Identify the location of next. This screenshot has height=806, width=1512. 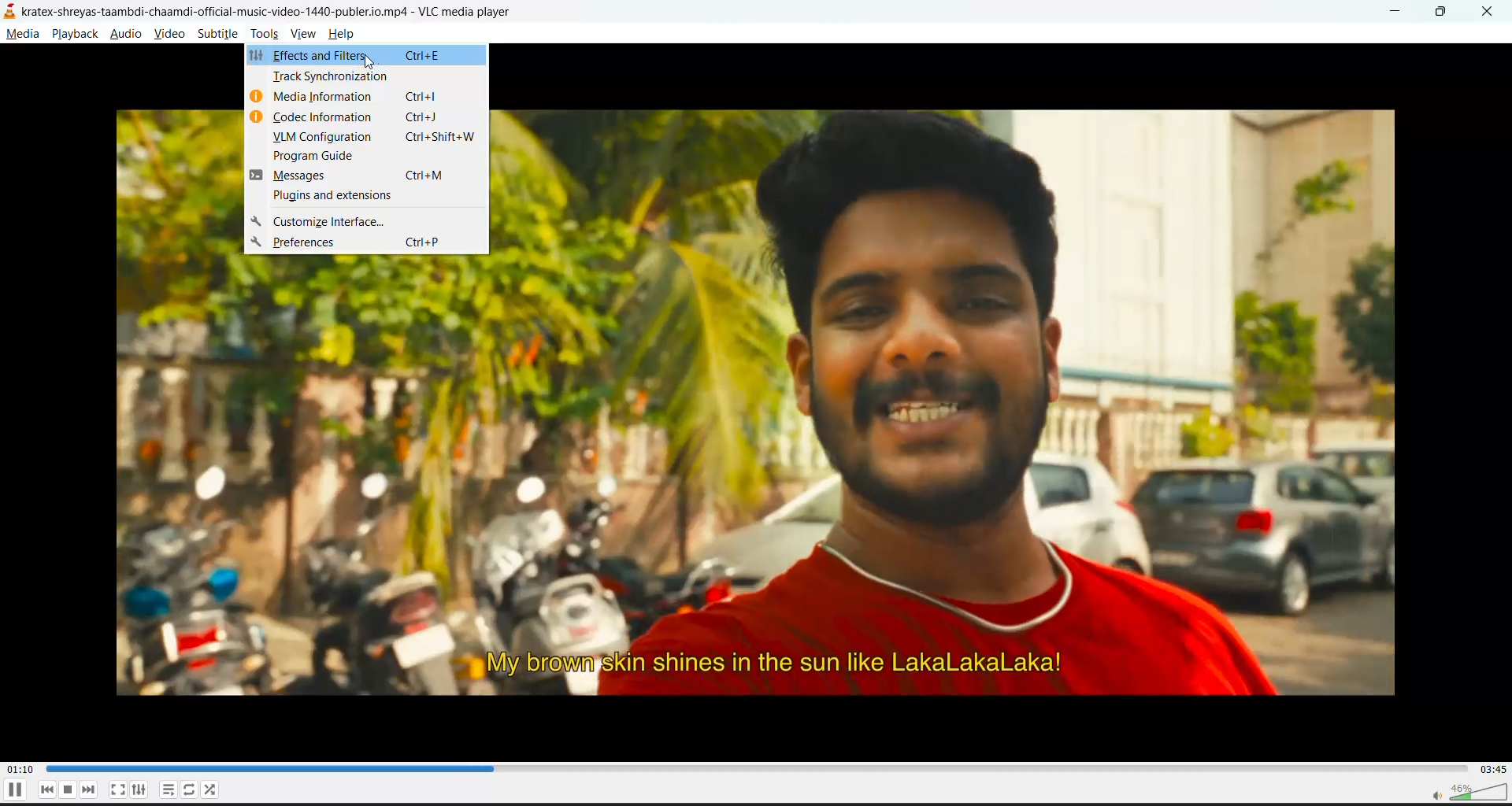
(91, 790).